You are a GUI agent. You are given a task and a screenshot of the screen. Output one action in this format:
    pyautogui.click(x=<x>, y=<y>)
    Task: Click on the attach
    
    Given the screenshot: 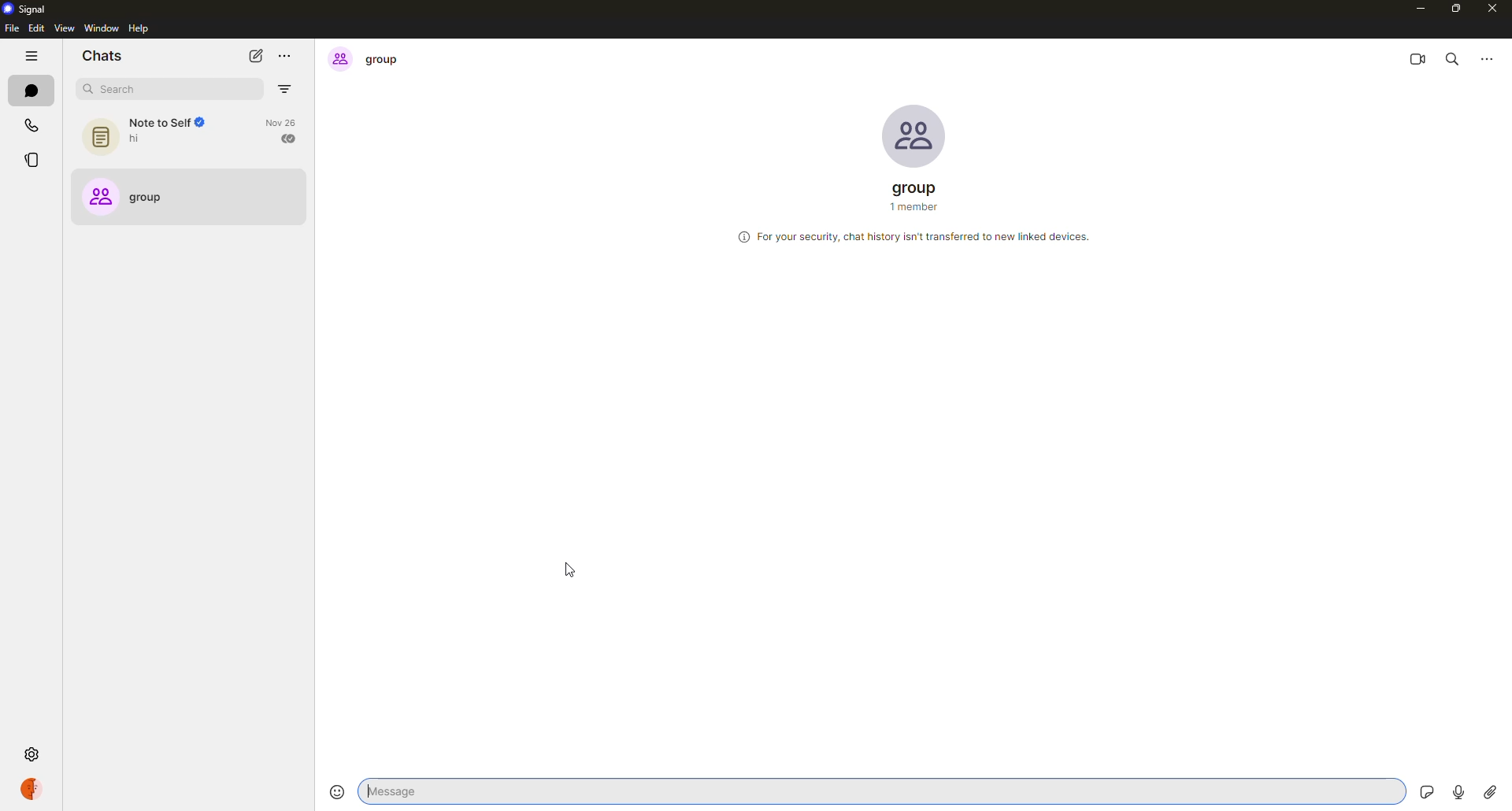 What is the action you would take?
    pyautogui.click(x=1489, y=793)
    